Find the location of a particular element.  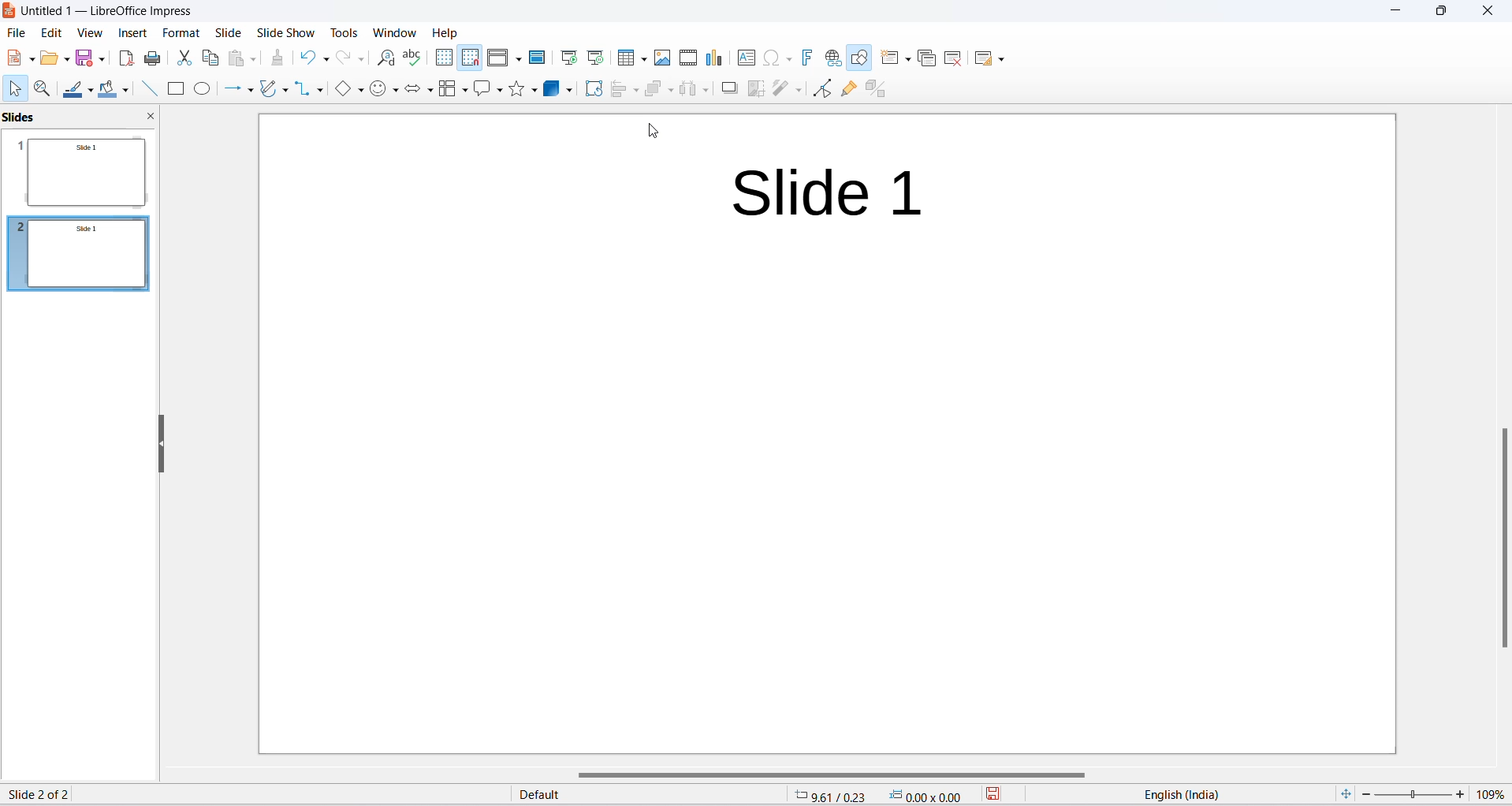

select is located at coordinates (16, 90).